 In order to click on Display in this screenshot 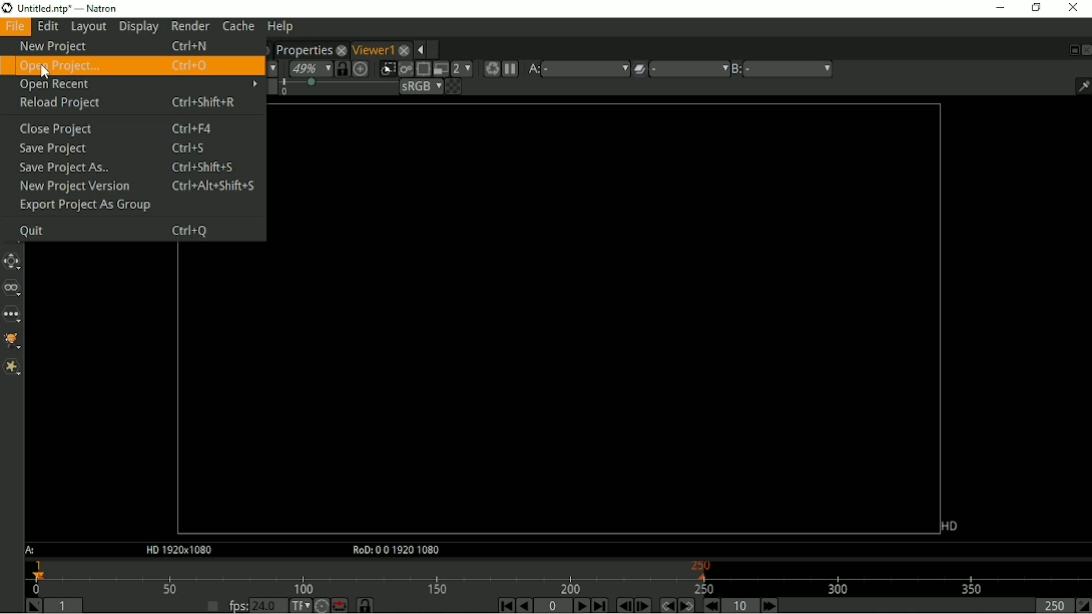, I will do `click(139, 27)`.